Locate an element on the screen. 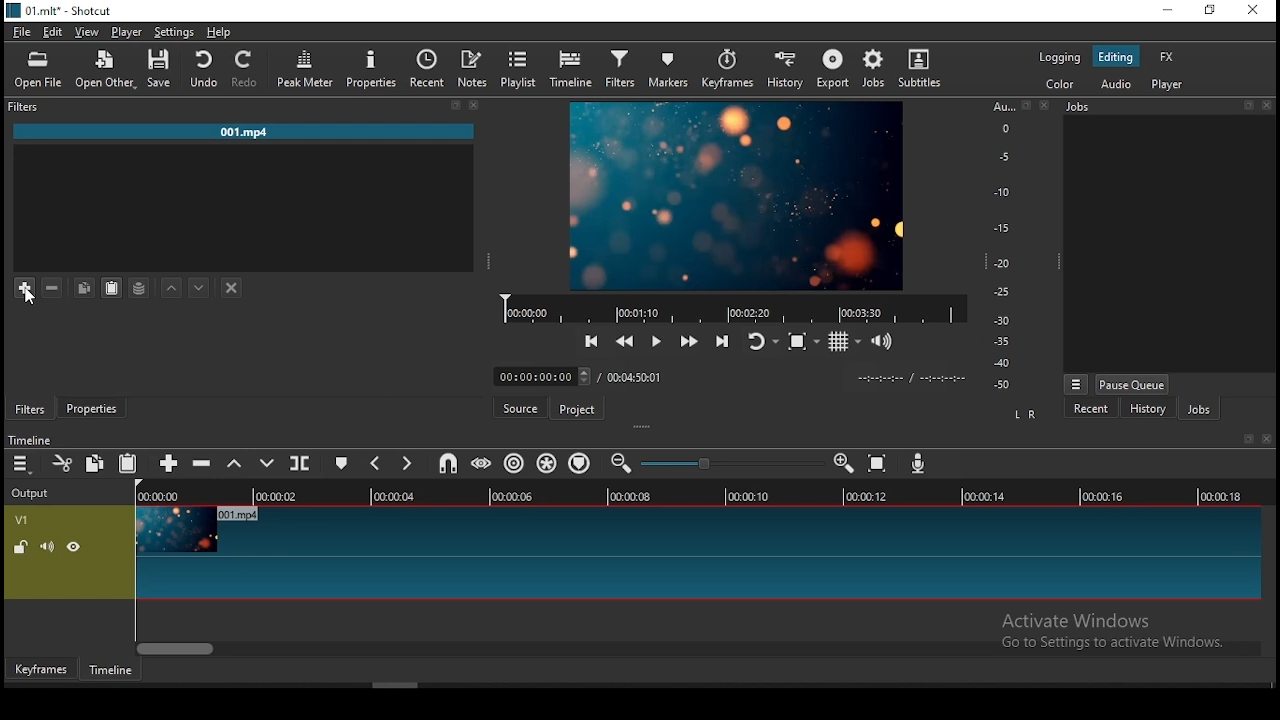 This screenshot has height=720, width=1280. duration is located at coordinates (573, 376).